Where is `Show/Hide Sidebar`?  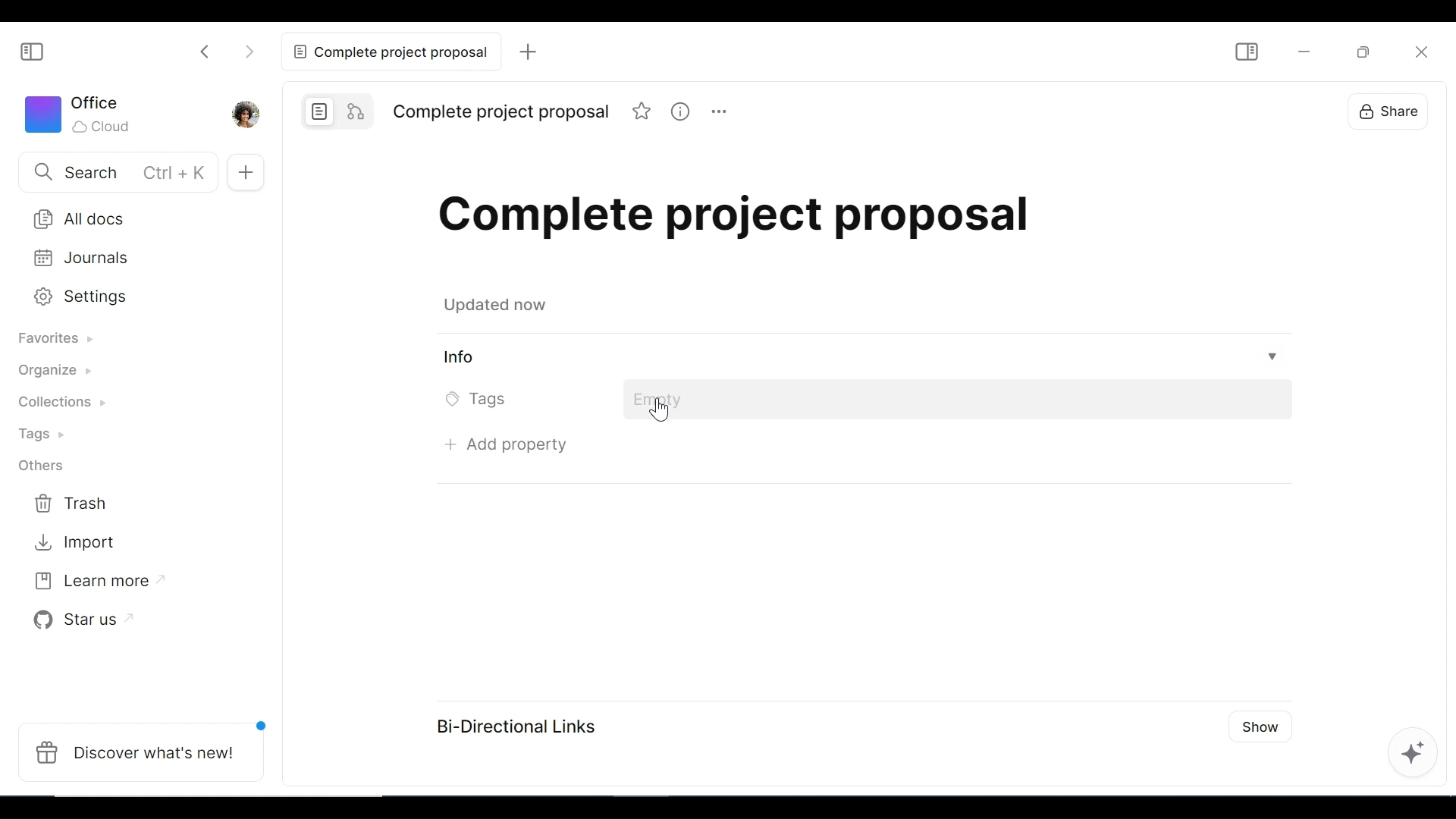
Show/Hide Sidebar is located at coordinates (33, 50).